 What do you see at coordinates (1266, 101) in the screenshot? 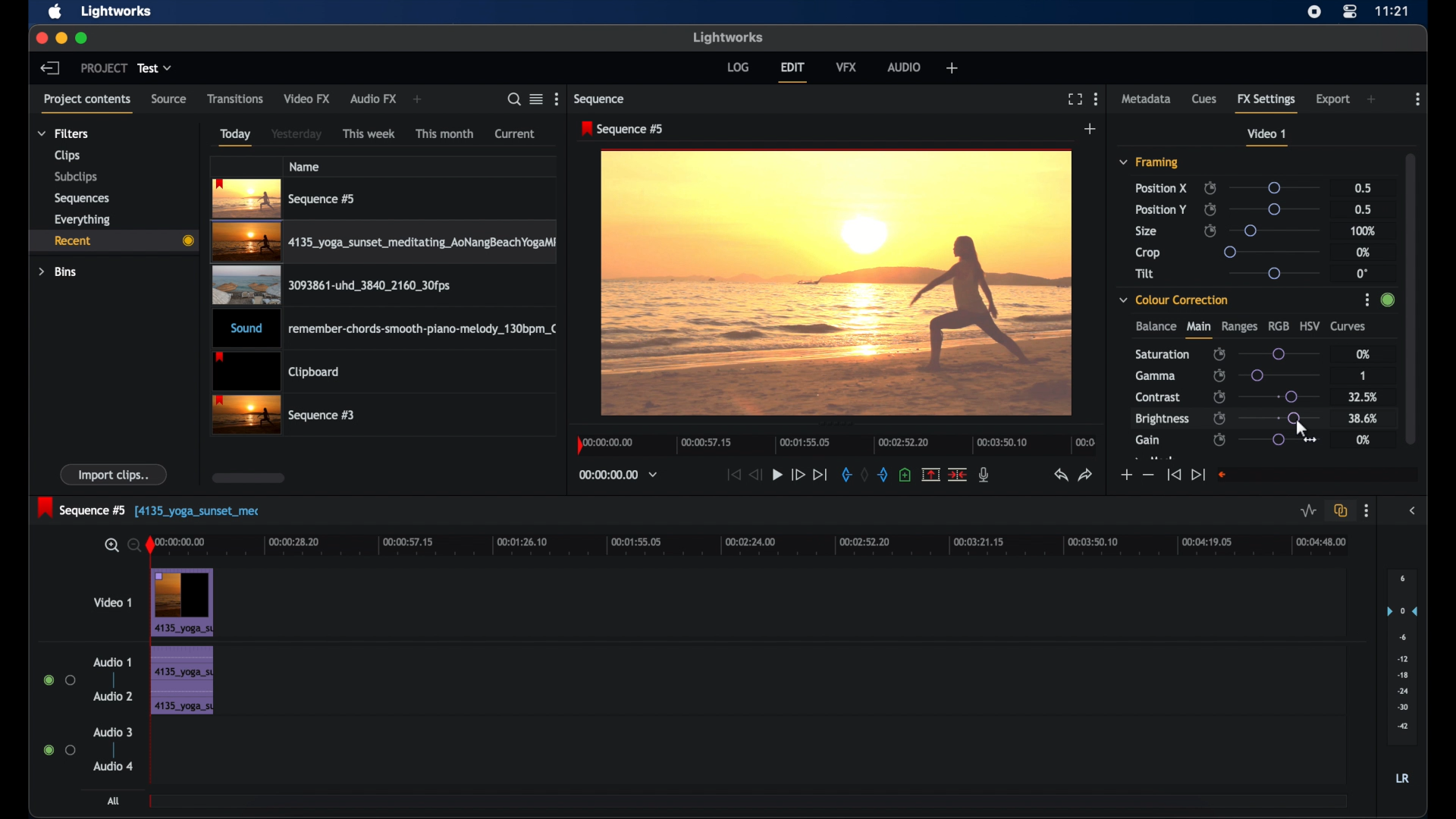
I see `fx settings` at bounding box center [1266, 101].